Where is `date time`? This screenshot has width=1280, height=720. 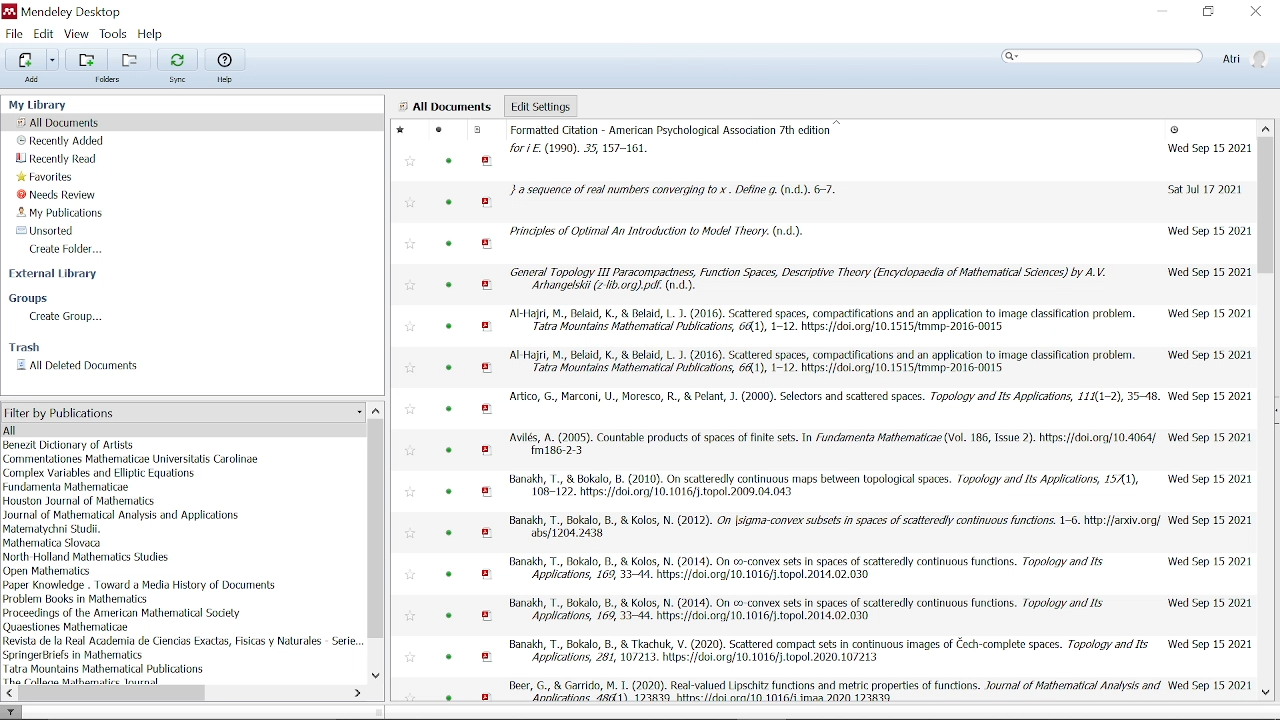 date time is located at coordinates (1211, 477).